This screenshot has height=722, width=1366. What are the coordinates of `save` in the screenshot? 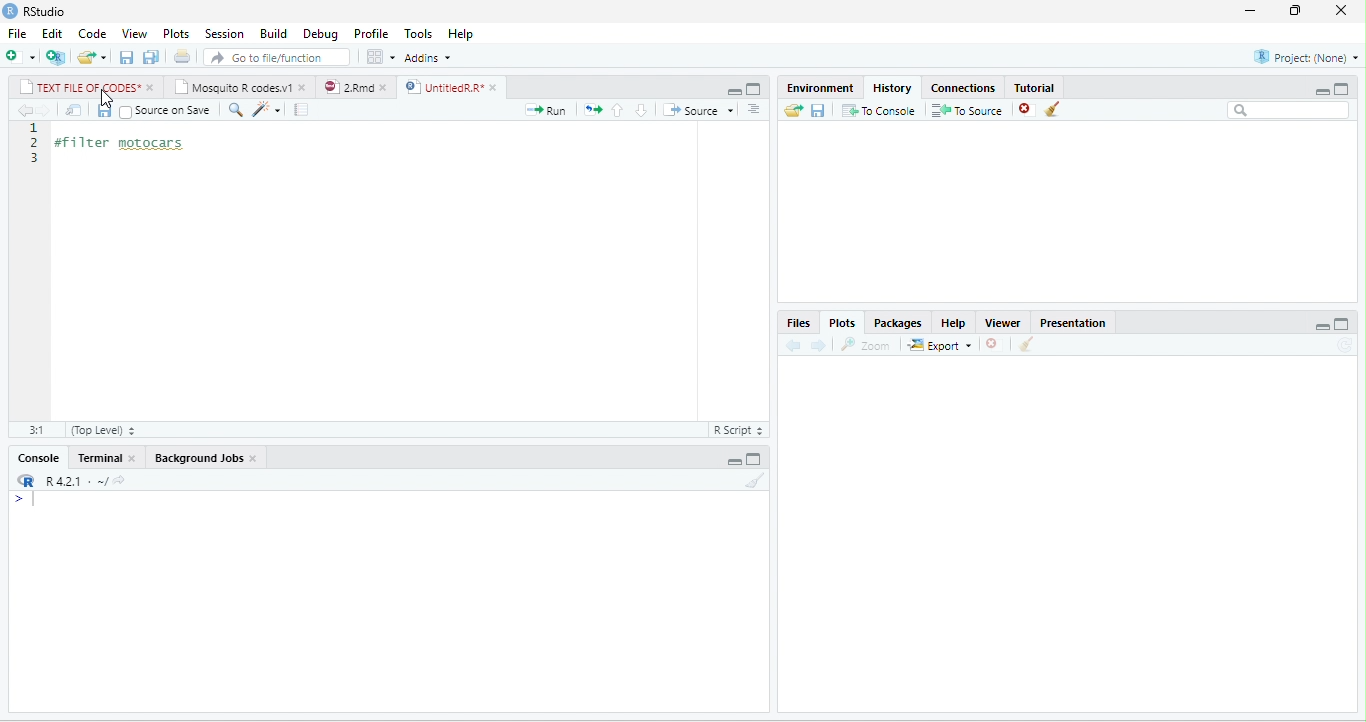 It's located at (126, 58).